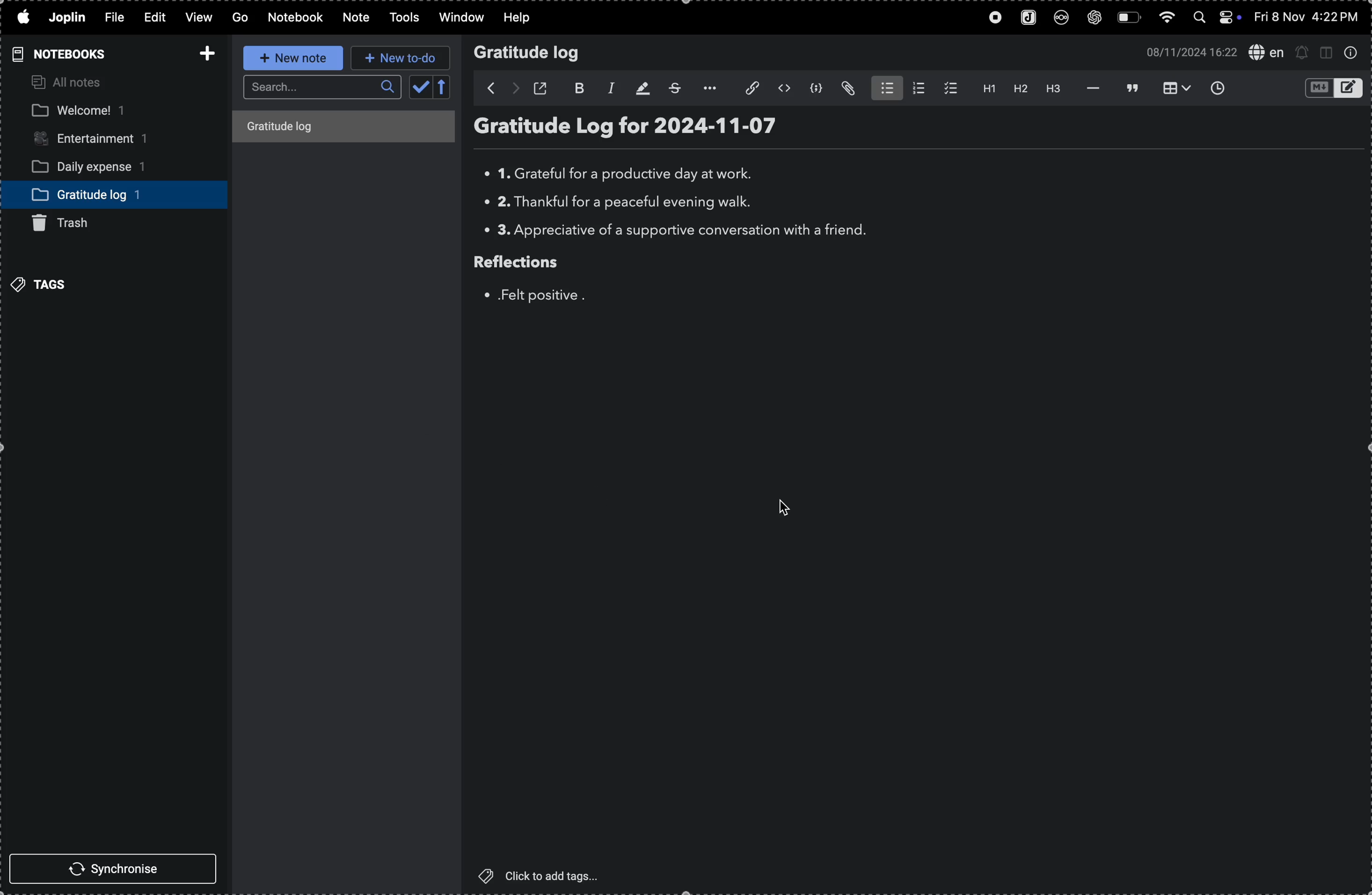 Image resolution: width=1372 pixels, height=895 pixels. What do you see at coordinates (114, 18) in the screenshot?
I see `file` at bounding box center [114, 18].